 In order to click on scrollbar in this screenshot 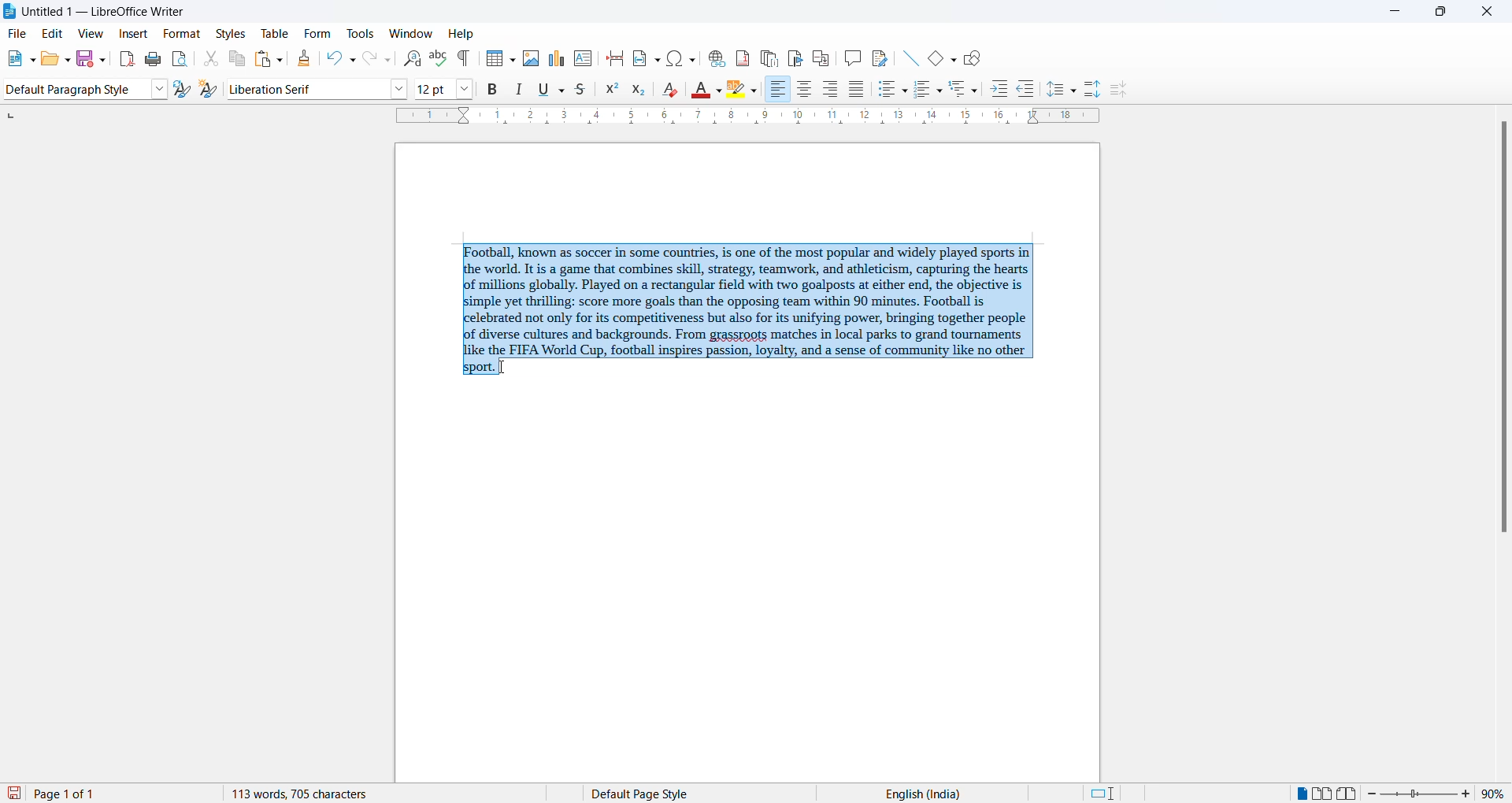, I will do `click(1503, 331)`.